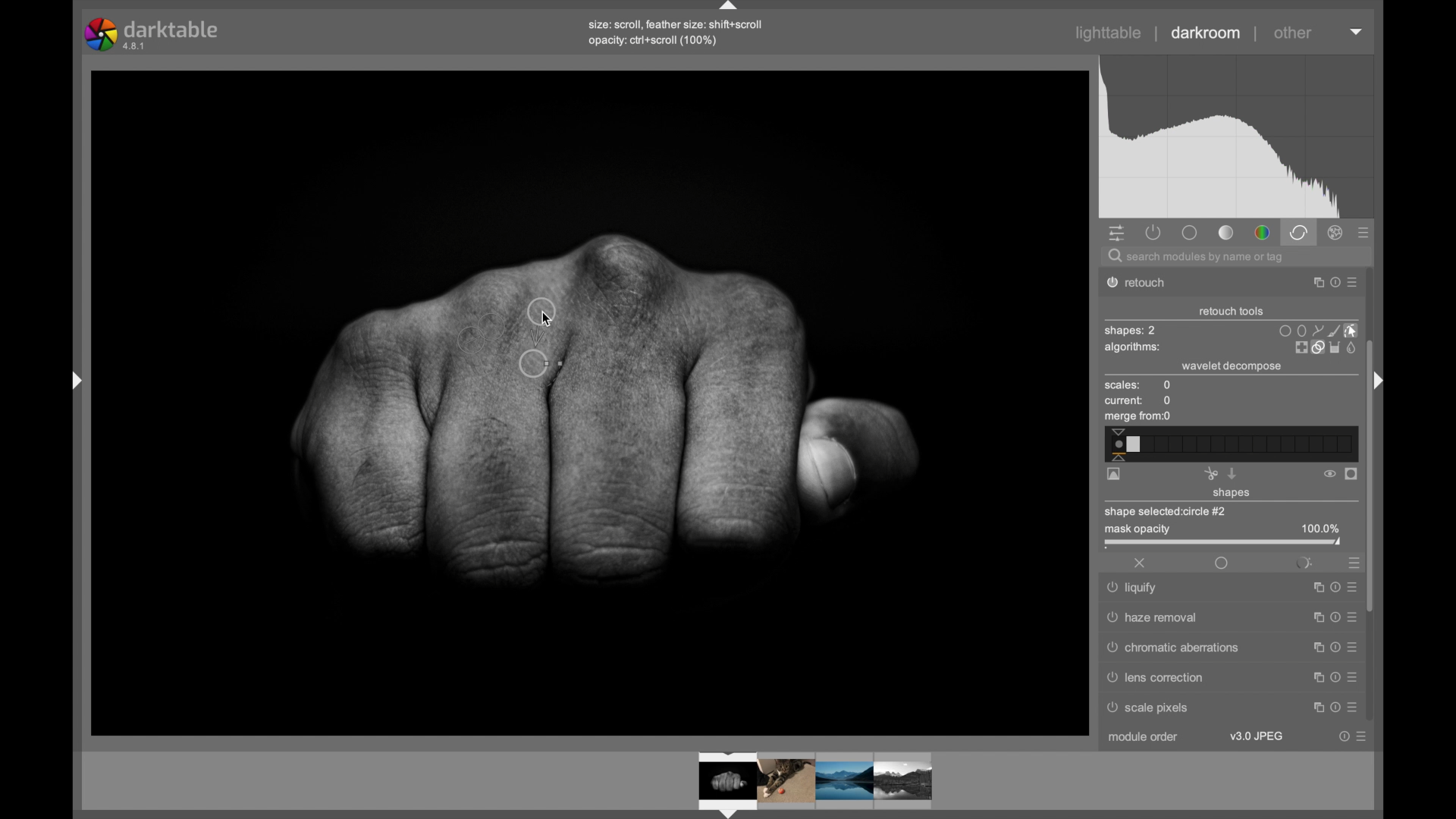 This screenshot has width=1456, height=819. Describe the element at coordinates (1129, 331) in the screenshot. I see `shapes: 1` at that location.